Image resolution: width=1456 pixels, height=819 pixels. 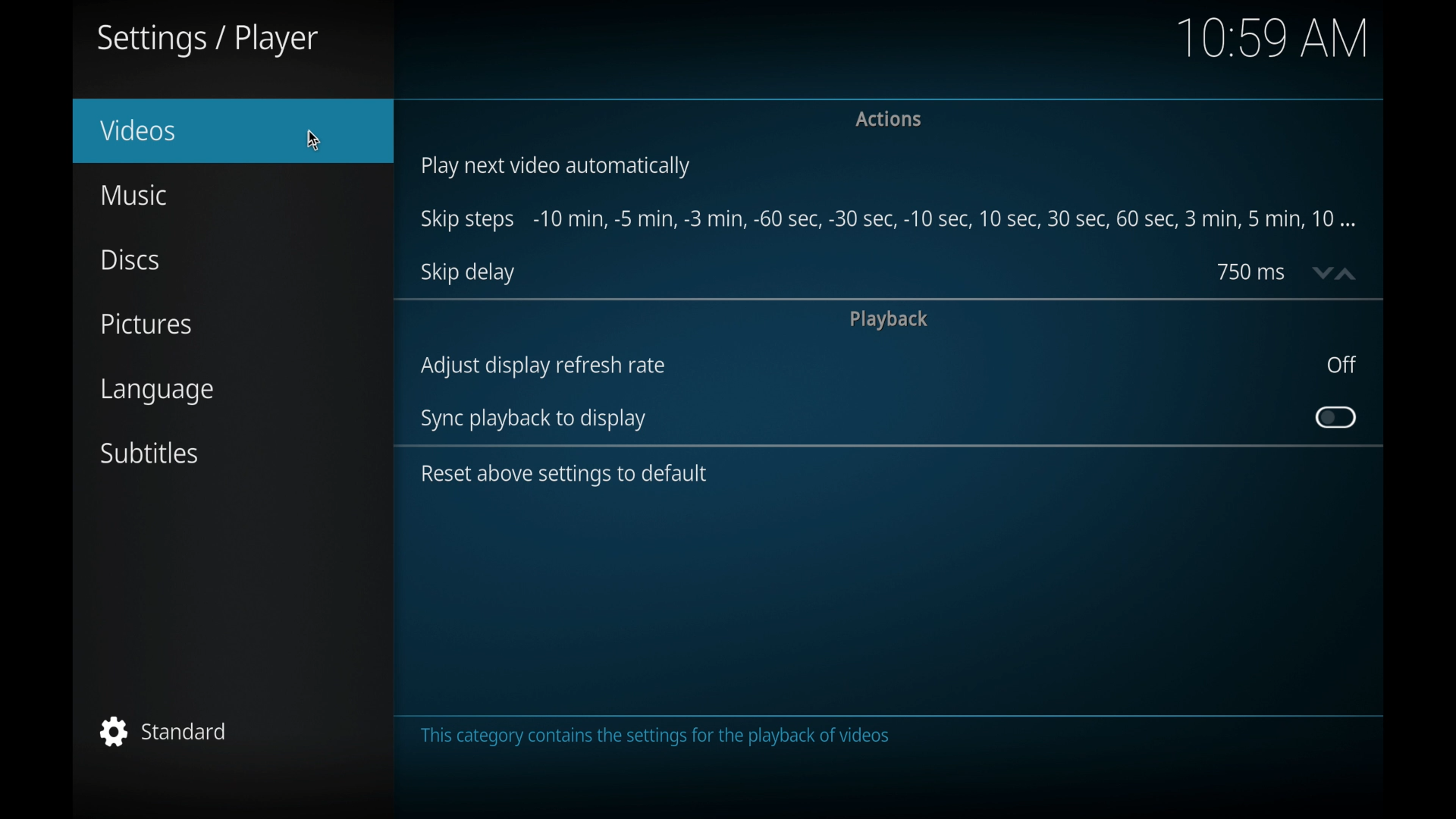 What do you see at coordinates (1344, 366) in the screenshot?
I see `off` at bounding box center [1344, 366].